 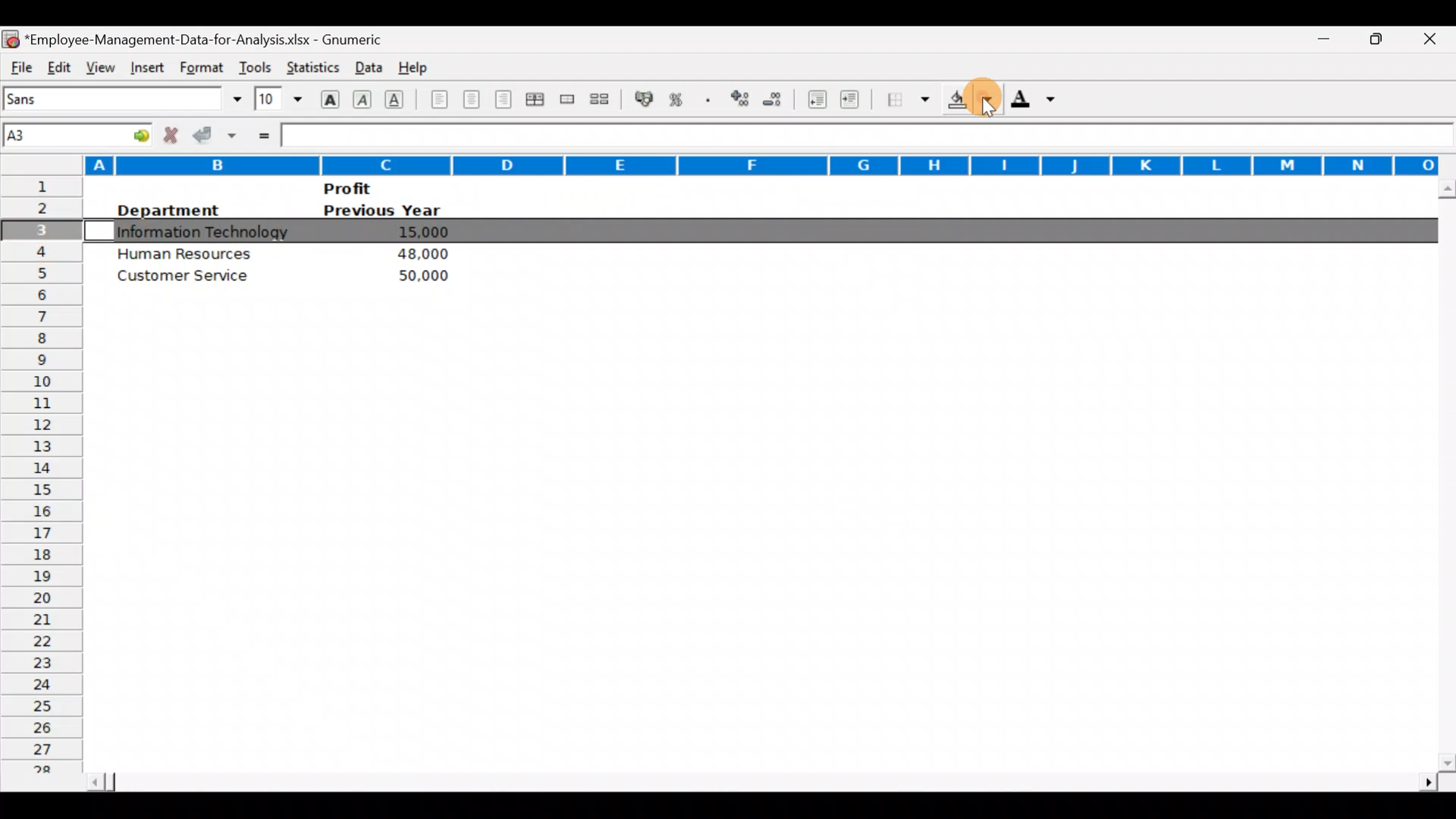 I want to click on Customer service, so click(x=190, y=279).